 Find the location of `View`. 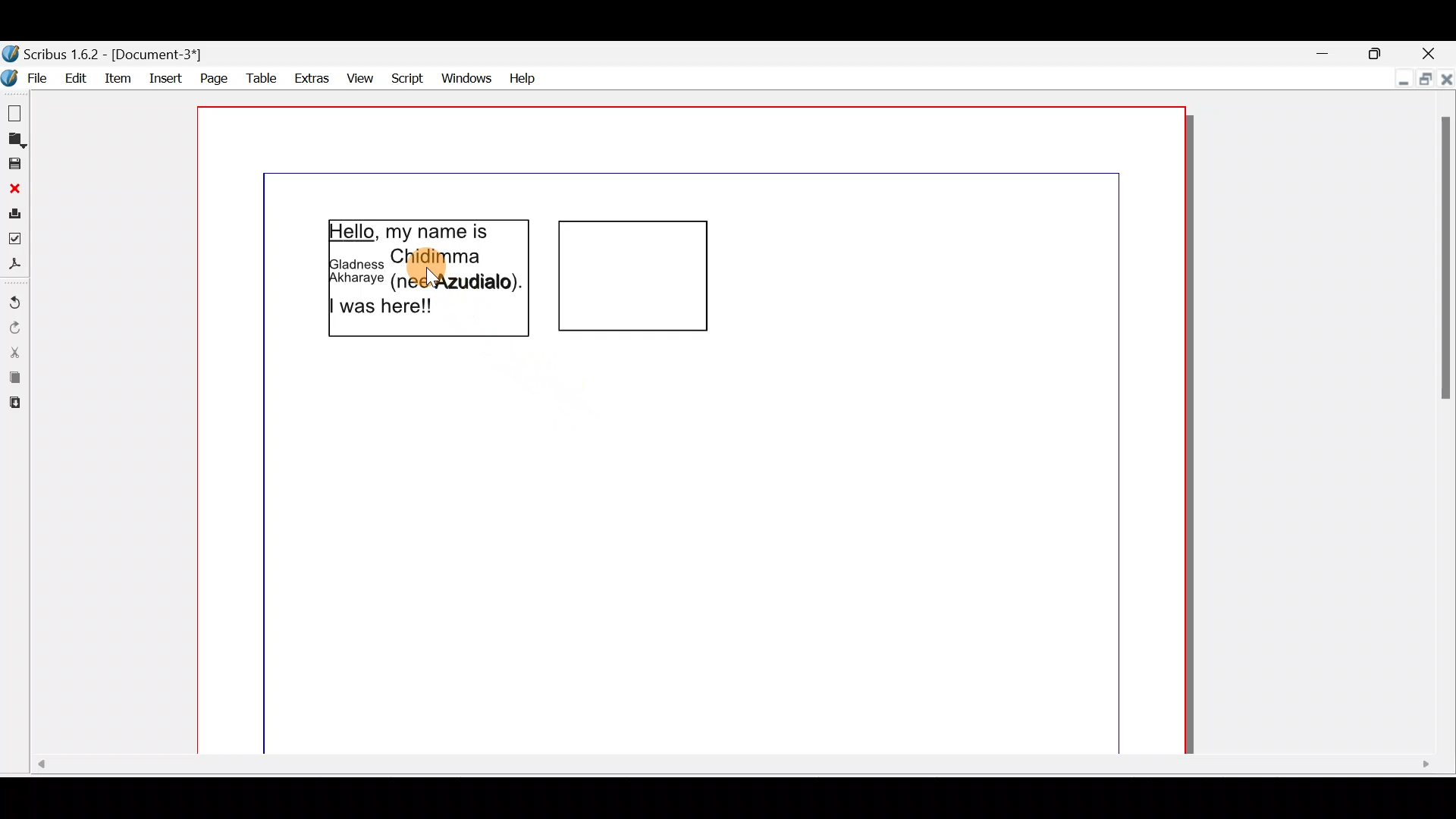

View is located at coordinates (362, 76).